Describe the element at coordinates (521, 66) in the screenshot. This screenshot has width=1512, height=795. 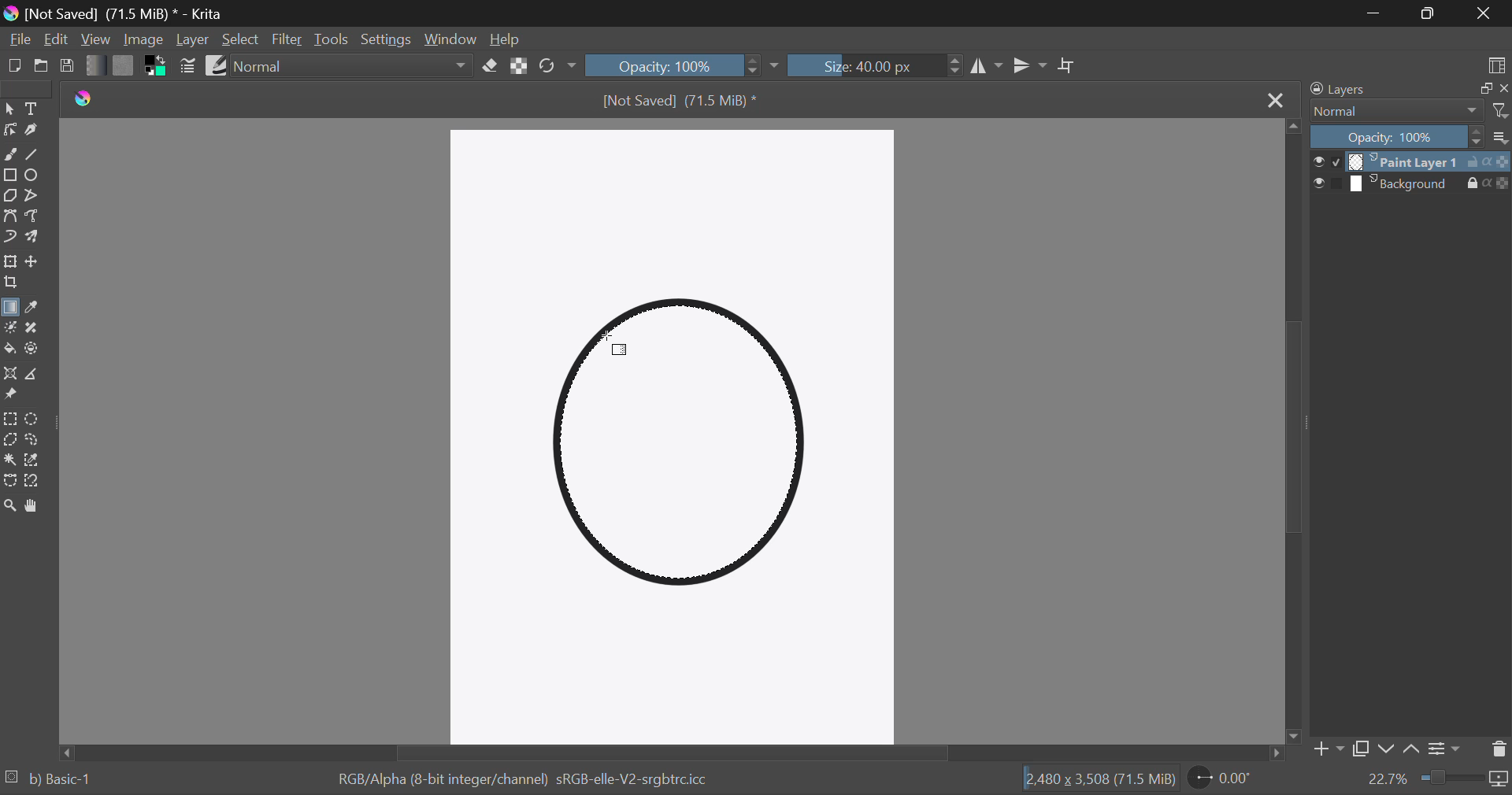
I see `Lock Alpha` at that location.